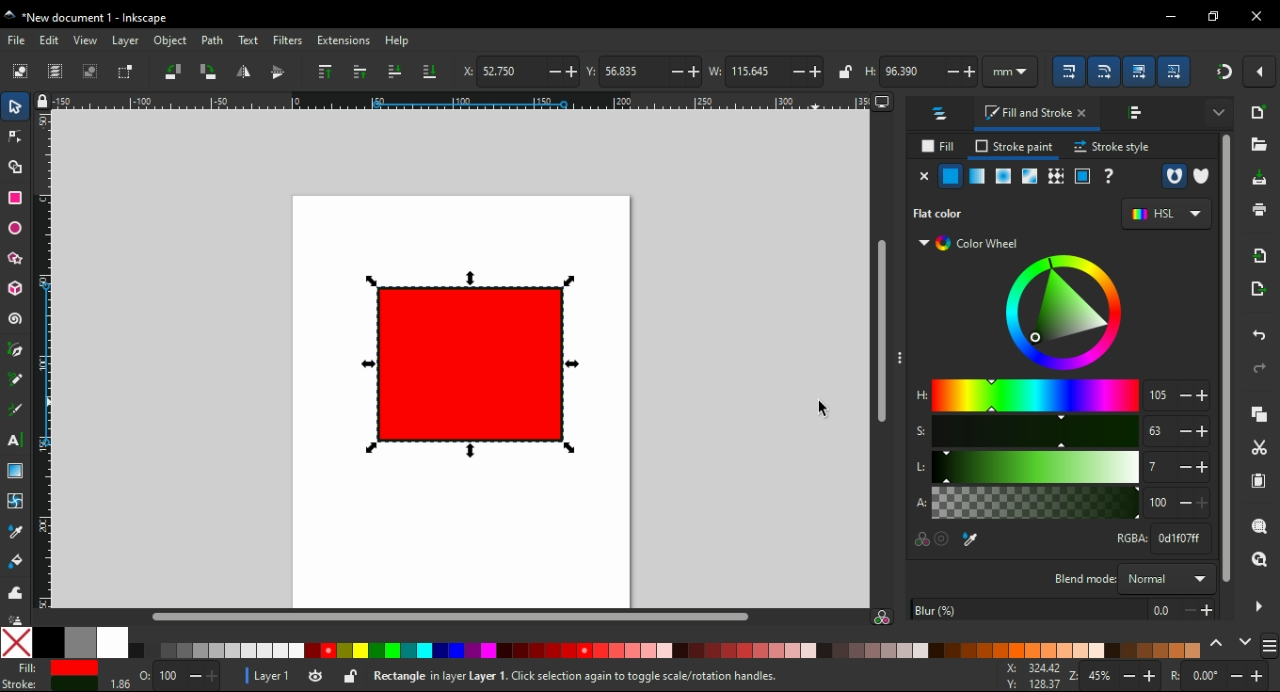  What do you see at coordinates (397, 42) in the screenshot?
I see `help` at bounding box center [397, 42].